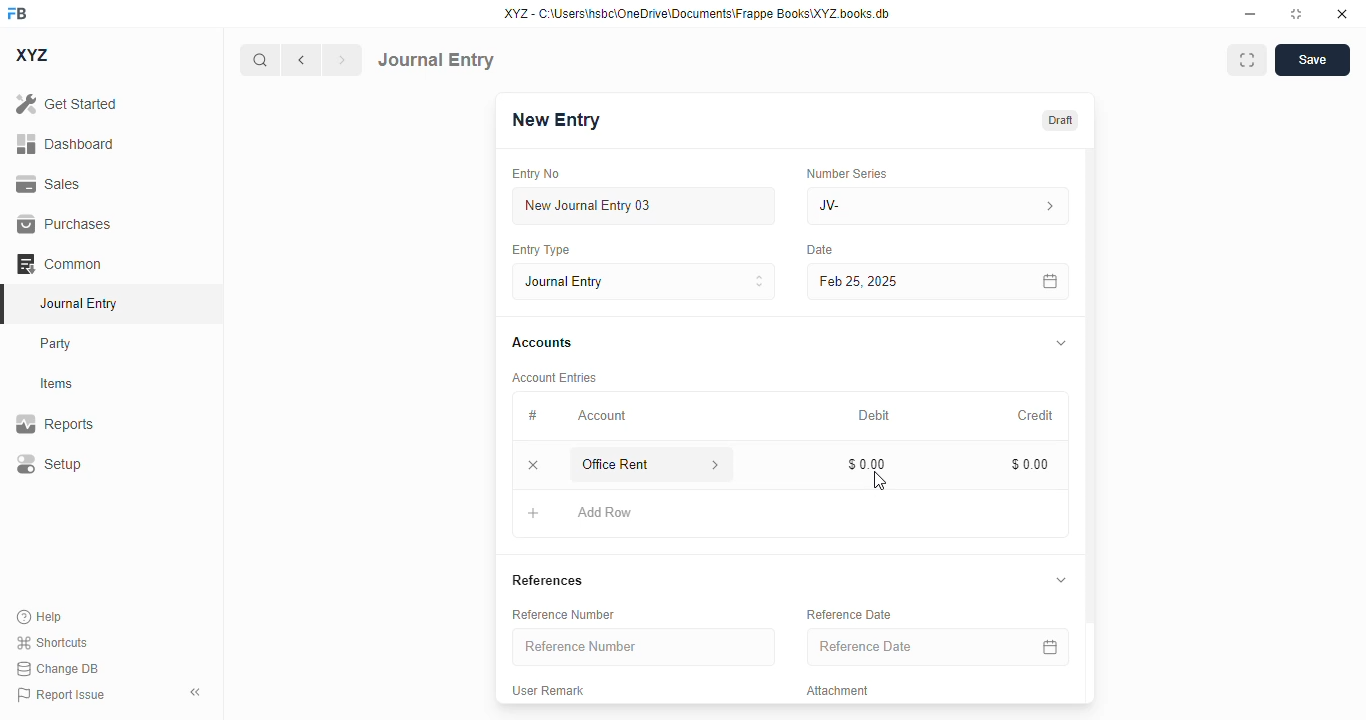  What do you see at coordinates (1061, 579) in the screenshot?
I see `toggle expand/collapse` at bounding box center [1061, 579].